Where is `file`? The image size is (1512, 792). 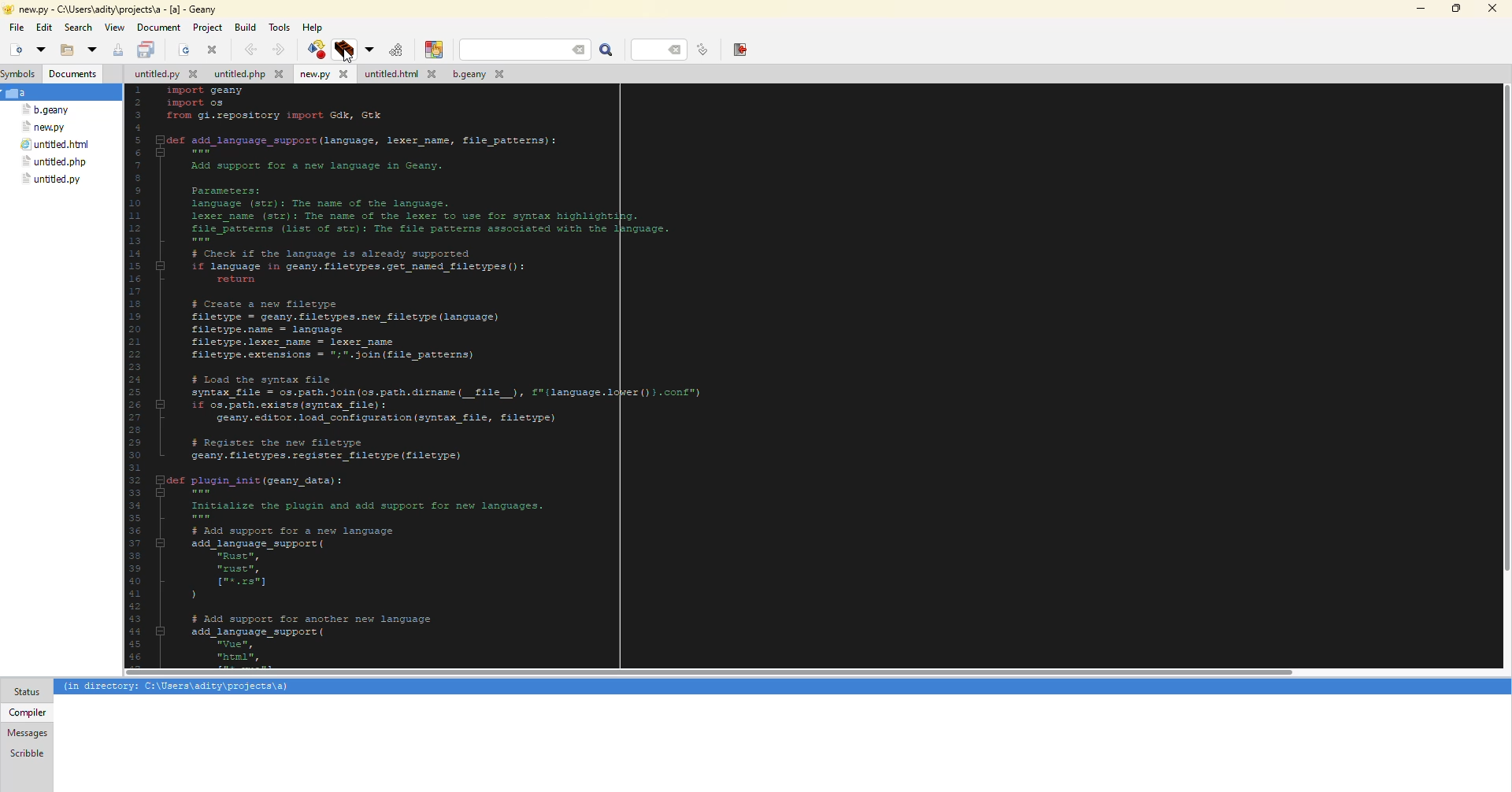
file is located at coordinates (323, 75).